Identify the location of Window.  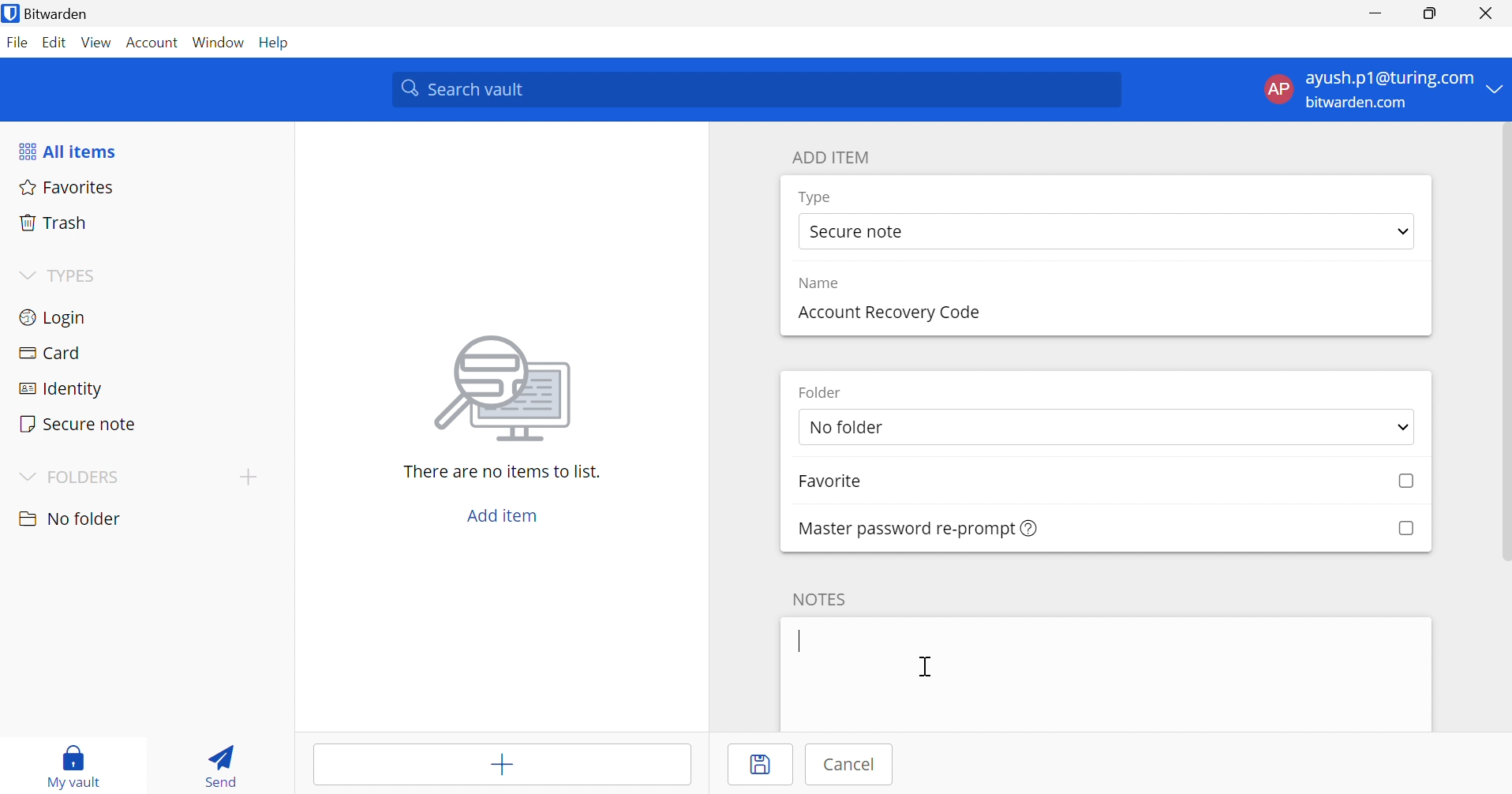
(219, 43).